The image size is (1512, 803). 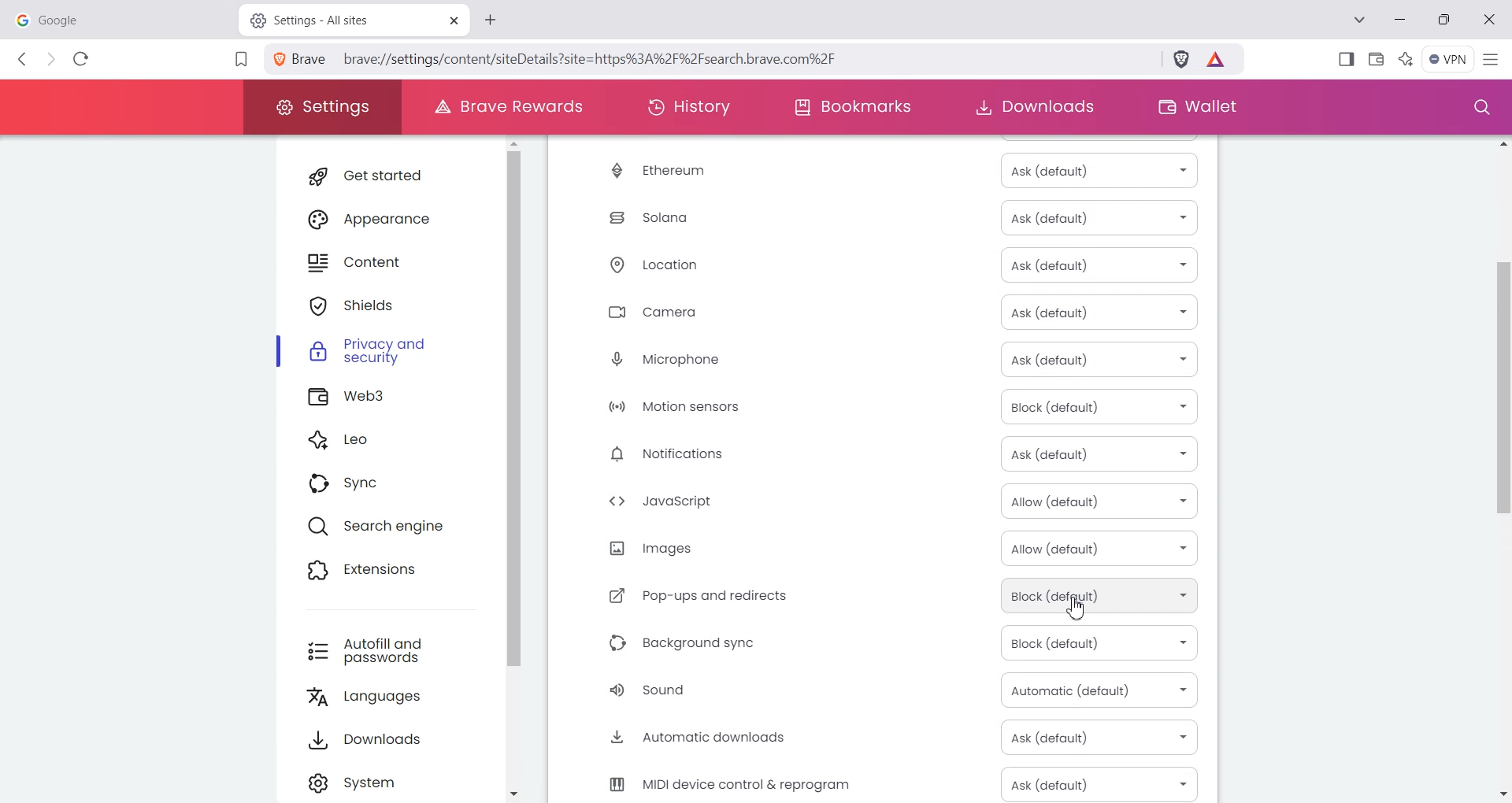 I want to click on Hamburger Settings, so click(x=1494, y=58).